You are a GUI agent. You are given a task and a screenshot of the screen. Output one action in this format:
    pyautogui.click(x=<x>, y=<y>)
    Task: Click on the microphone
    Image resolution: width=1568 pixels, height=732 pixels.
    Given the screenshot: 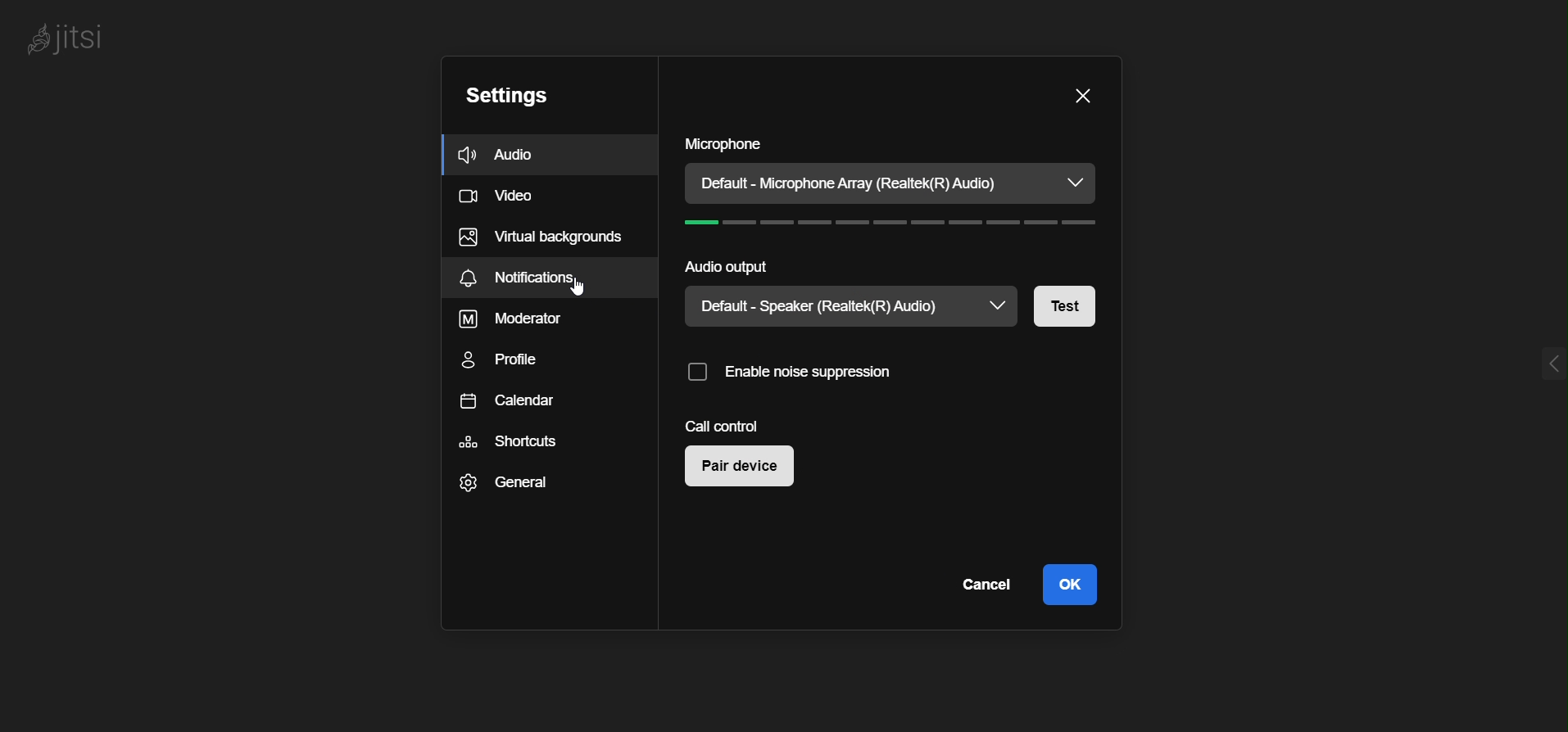 What is the action you would take?
    pyautogui.click(x=725, y=140)
    